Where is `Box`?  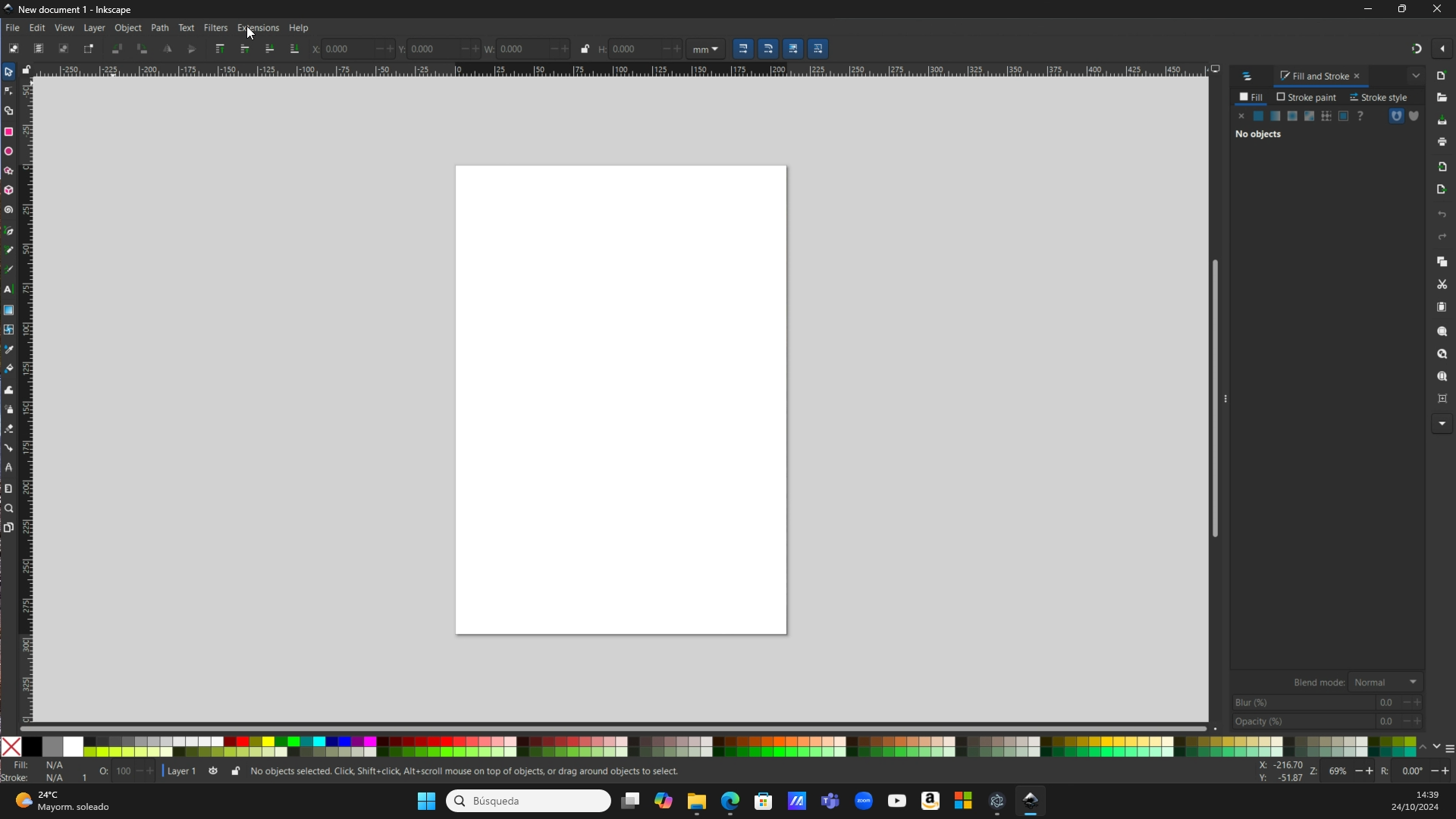
Box is located at coordinates (1405, 9).